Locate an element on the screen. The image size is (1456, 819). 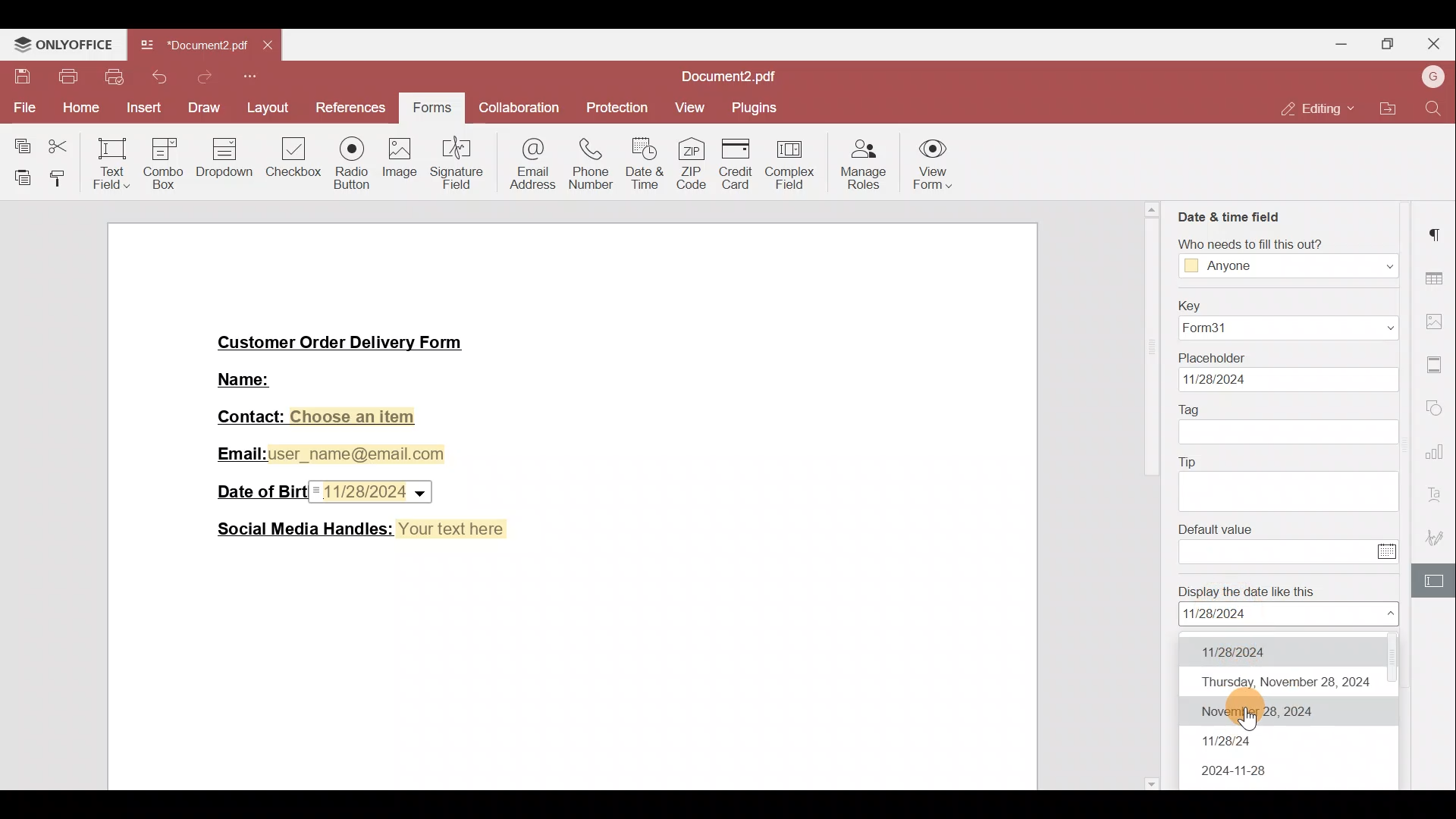
Thursday, November 28 2024 is located at coordinates (1284, 680).